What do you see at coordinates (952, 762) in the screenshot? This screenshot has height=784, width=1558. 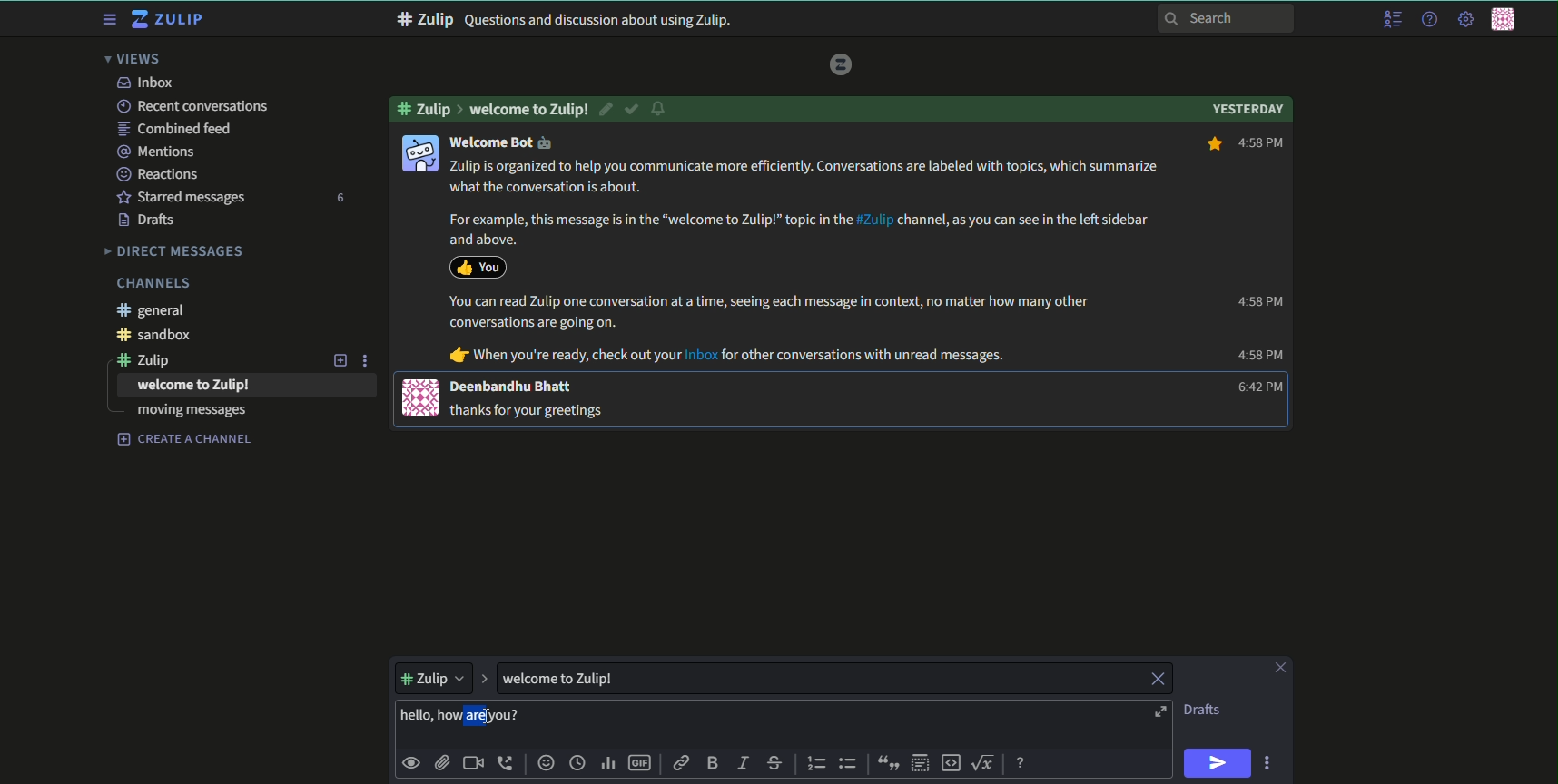 I see `code` at bounding box center [952, 762].